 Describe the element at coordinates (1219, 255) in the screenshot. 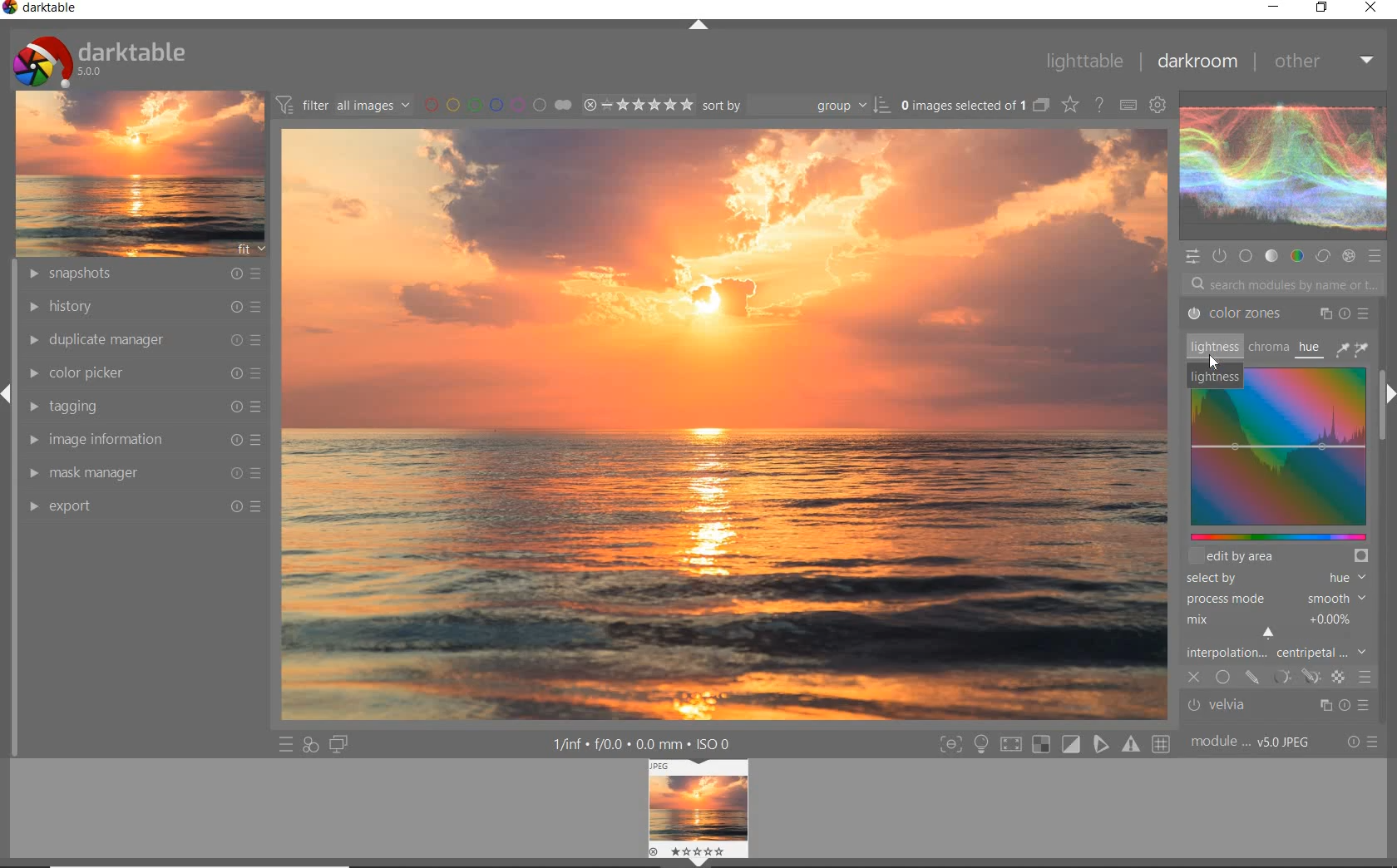

I see `SHOW ONLY ACTIVE MODULES` at that location.